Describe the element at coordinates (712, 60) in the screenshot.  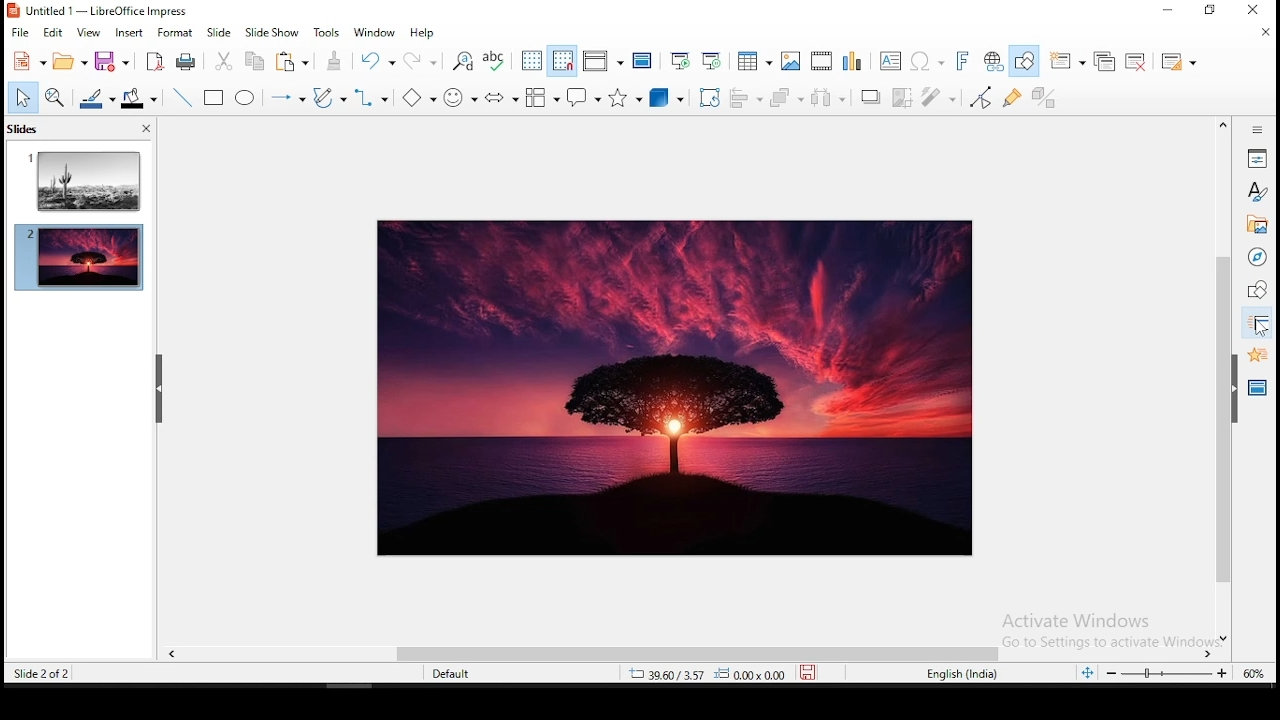
I see `start from current slide` at that location.